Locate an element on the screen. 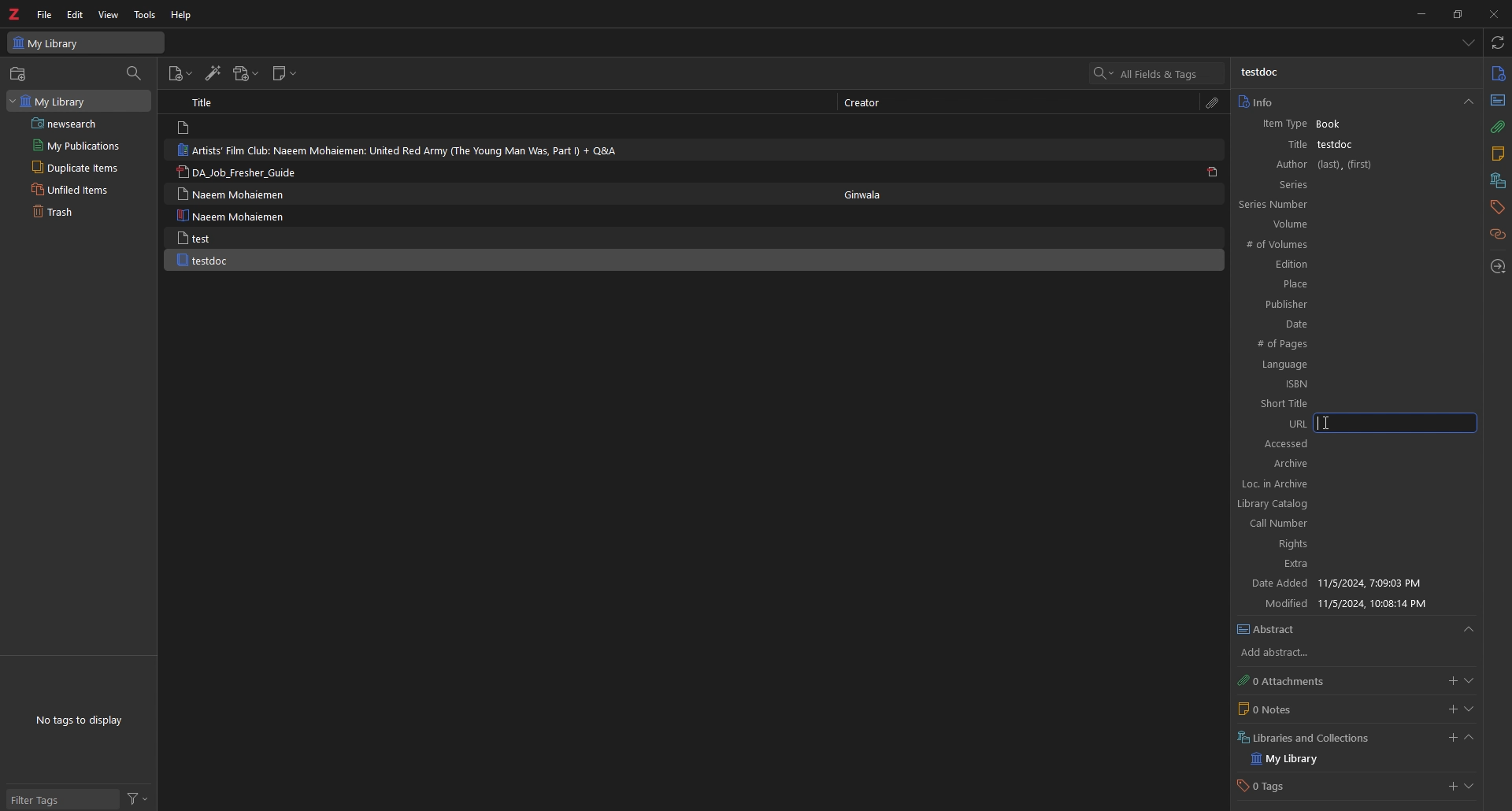 Image resolution: width=1512 pixels, height=811 pixels. ISBN is located at coordinates (1342, 383).